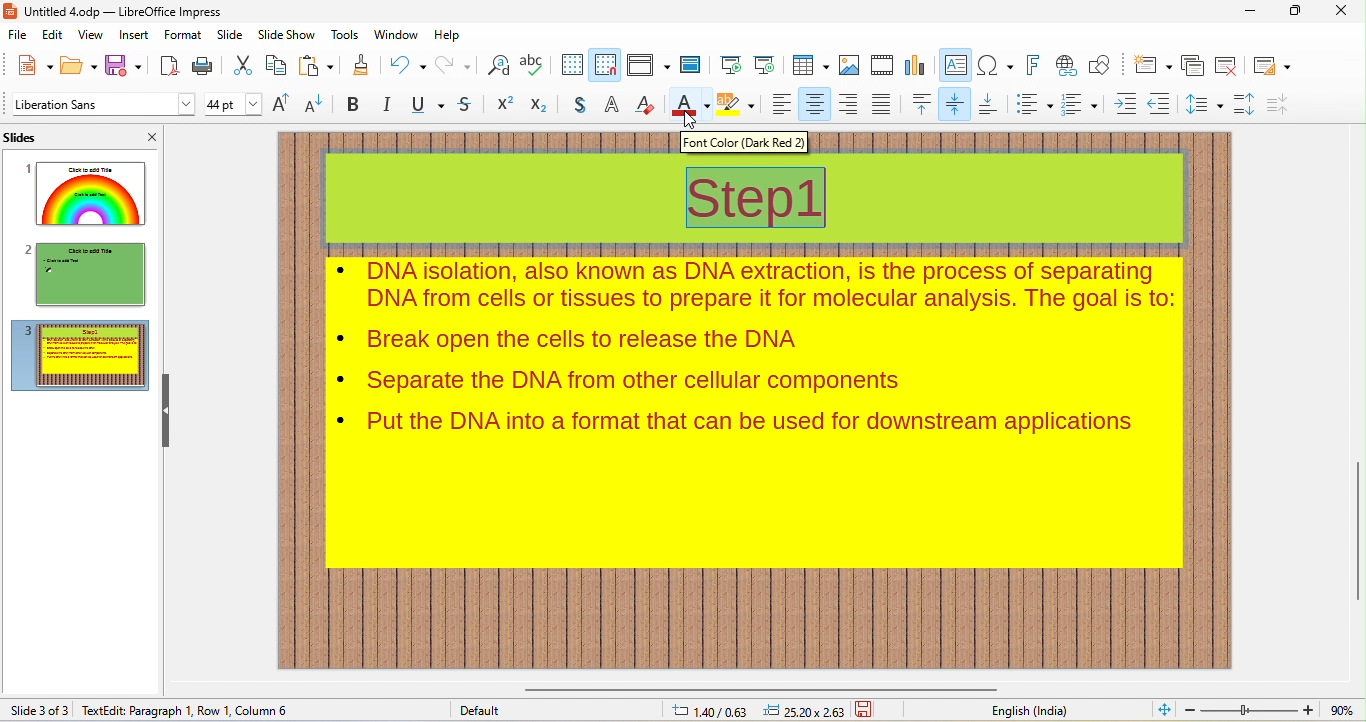  Describe the element at coordinates (80, 192) in the screenshot. I see `slide1` at that location.